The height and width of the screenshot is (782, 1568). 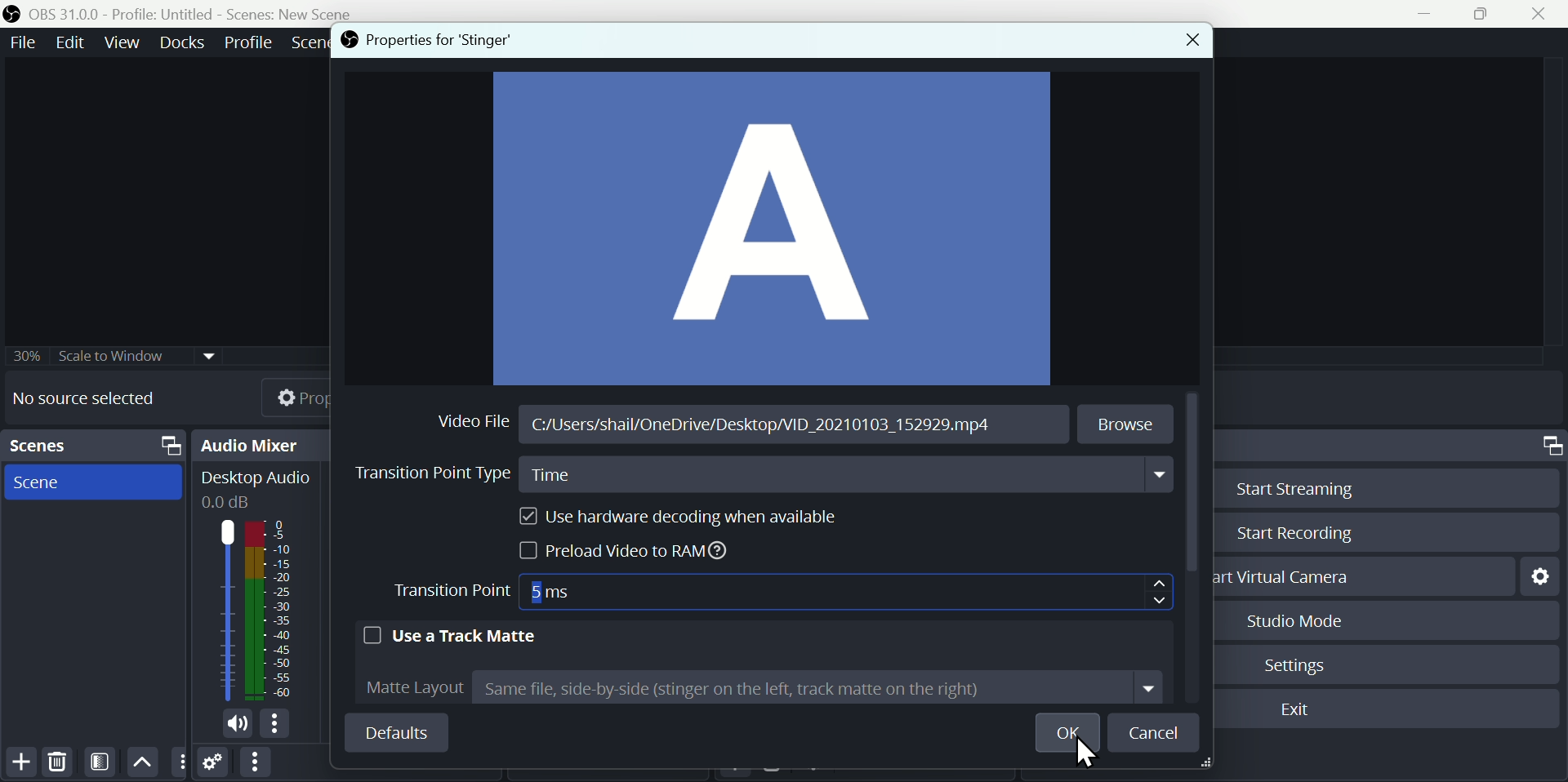 What do you see at coordinates (1073, 733) in the screenshot?
I see `O K` at bounding box center [1073, 733].